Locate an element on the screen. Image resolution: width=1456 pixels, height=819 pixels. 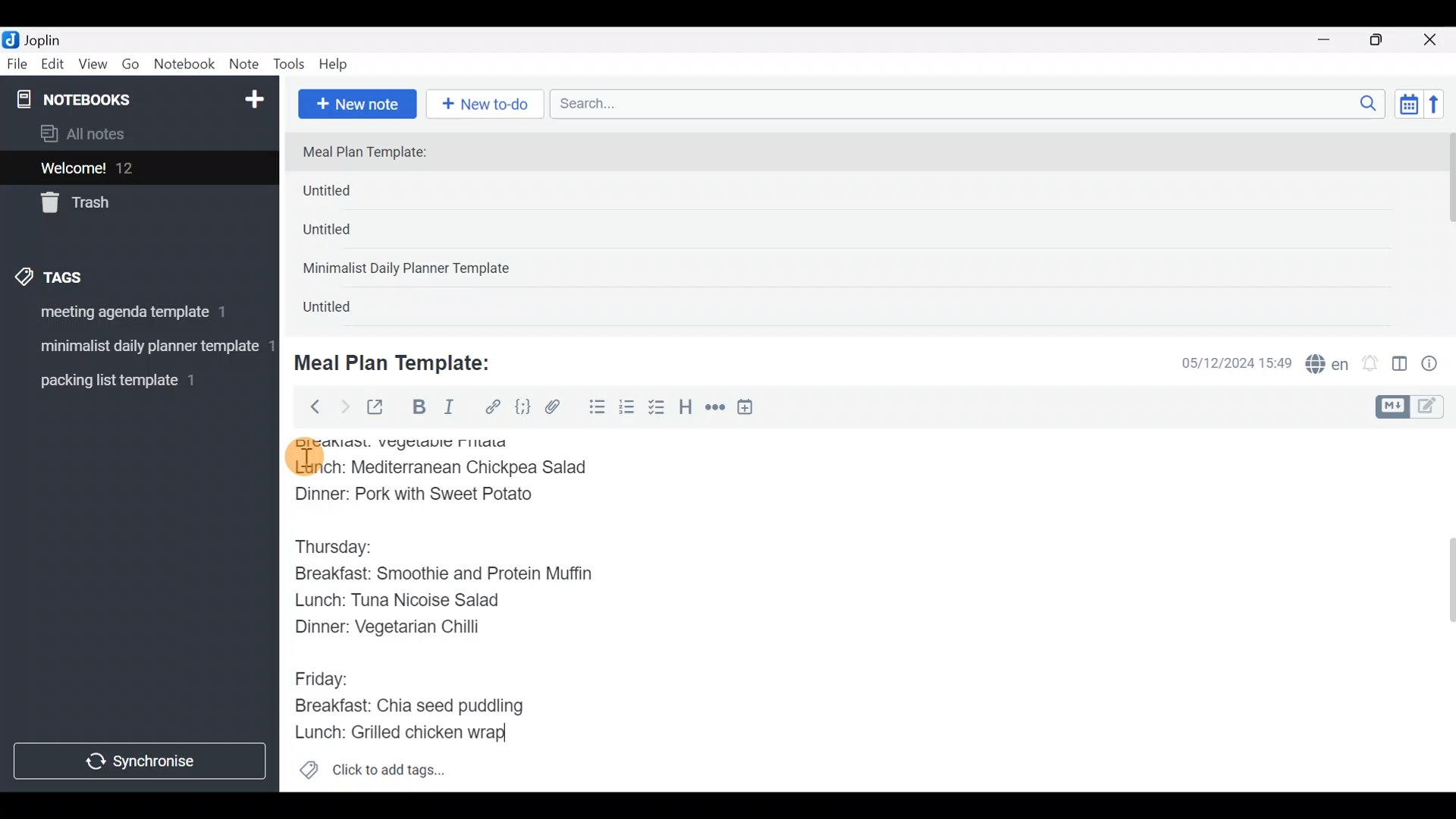
Reverse sort is located at coordinates (1442, 108).